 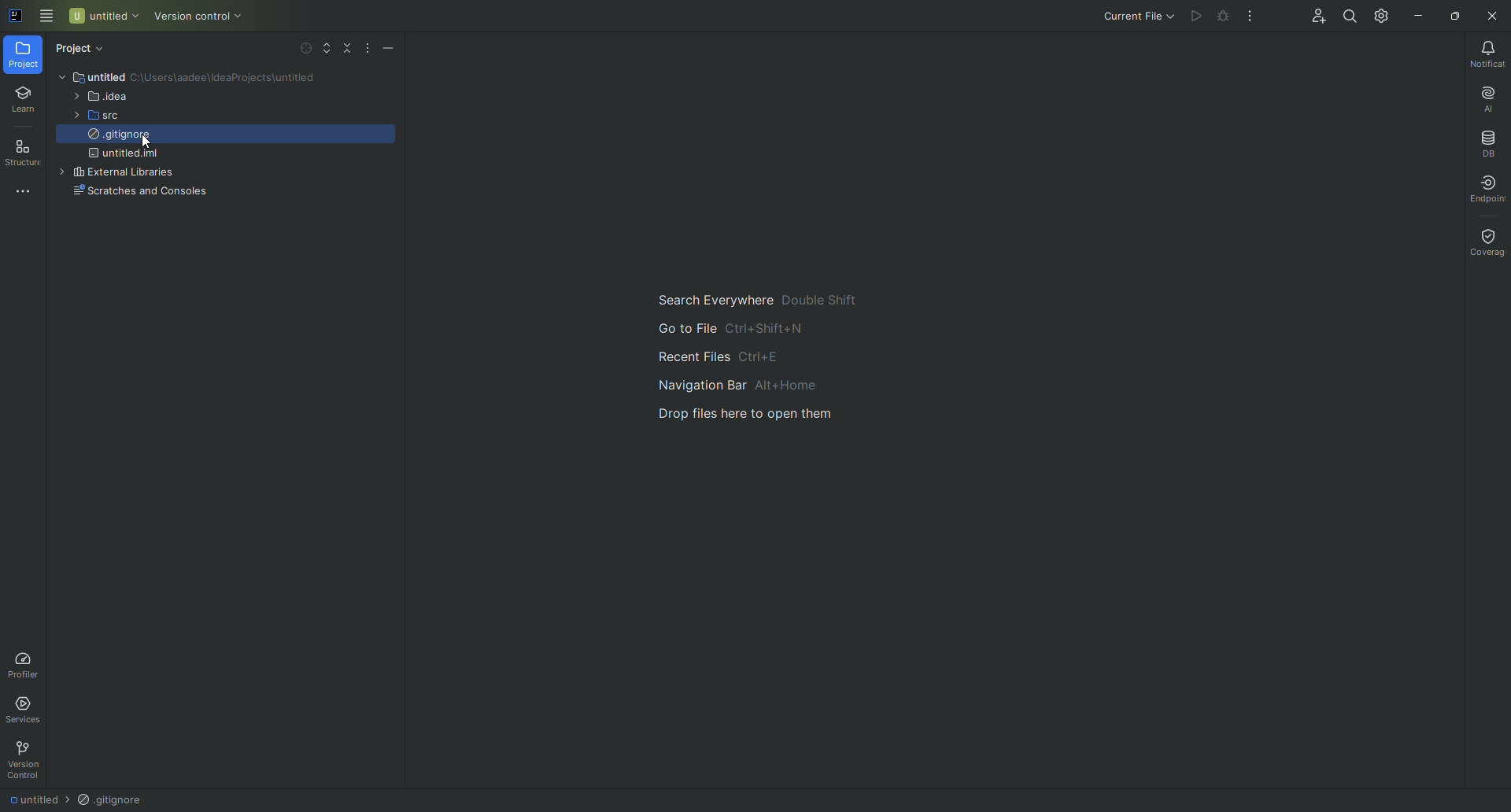 I want to click on Hide, so click(x=396, y=49).